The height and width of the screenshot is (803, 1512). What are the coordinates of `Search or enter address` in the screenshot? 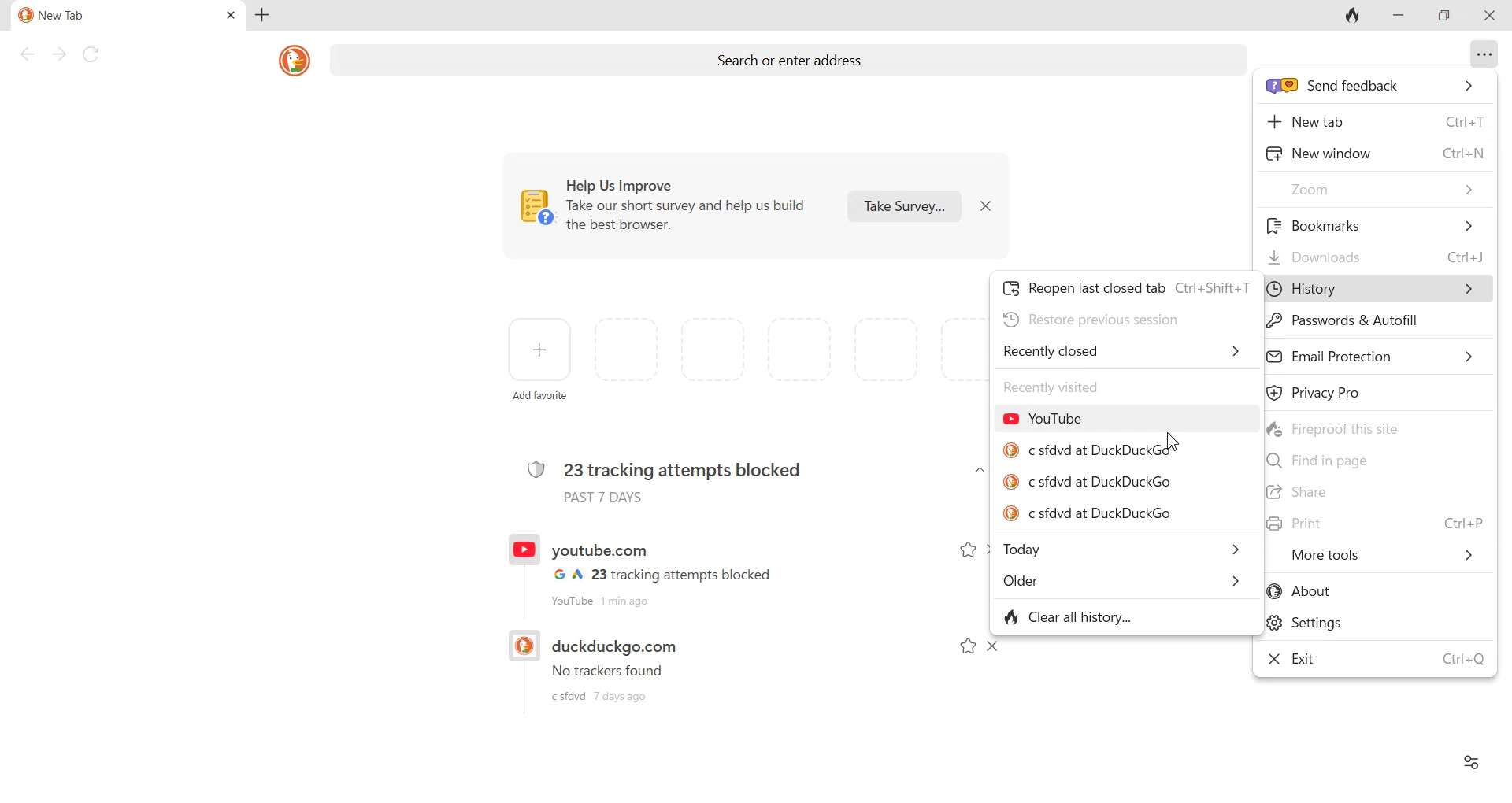 It's located at (792, 62).